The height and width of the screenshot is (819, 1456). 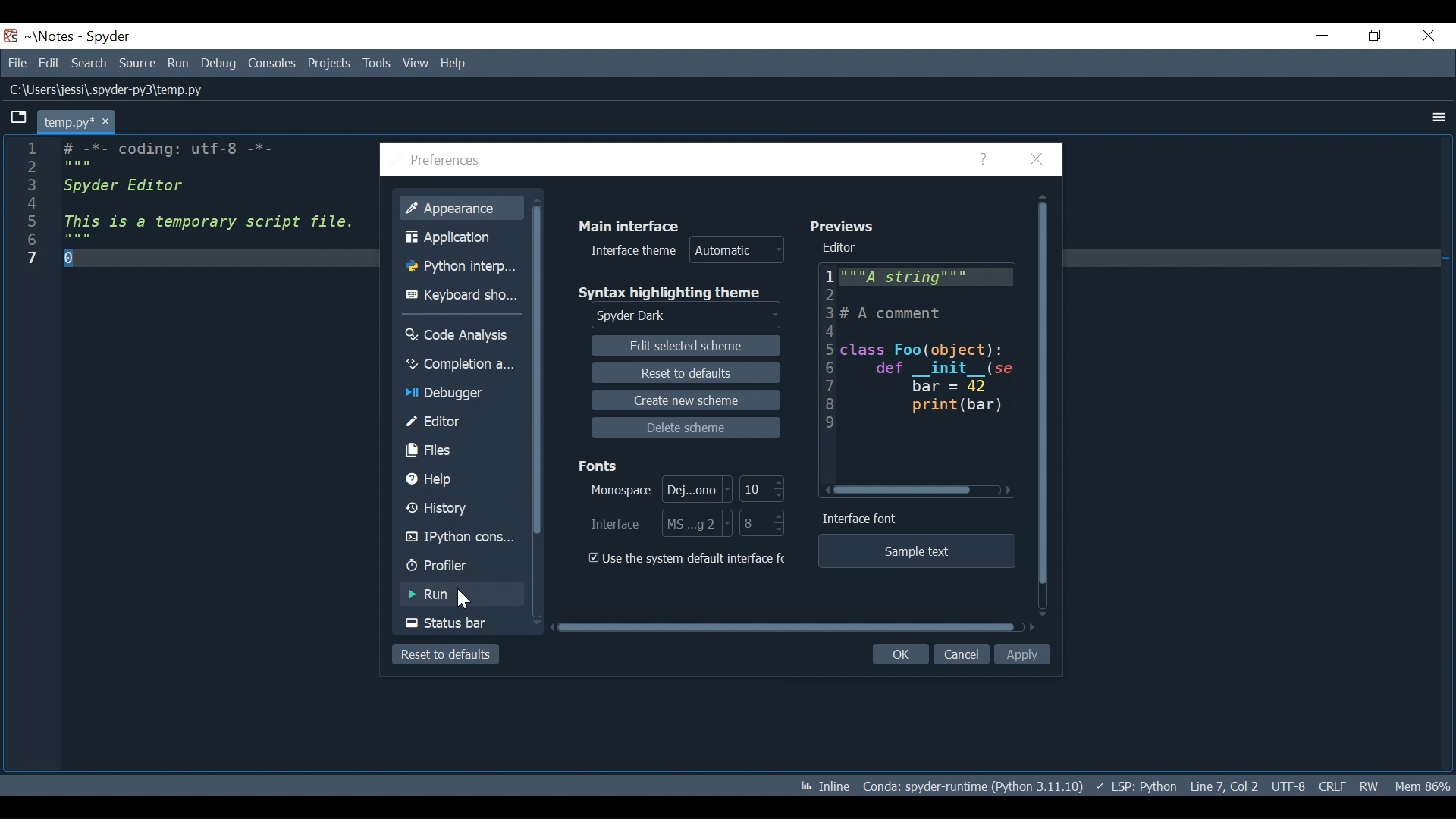 What do you see at coordinates (466, 598) in the screenshot?
I see `Cursor` at bounding box center [466, 598].